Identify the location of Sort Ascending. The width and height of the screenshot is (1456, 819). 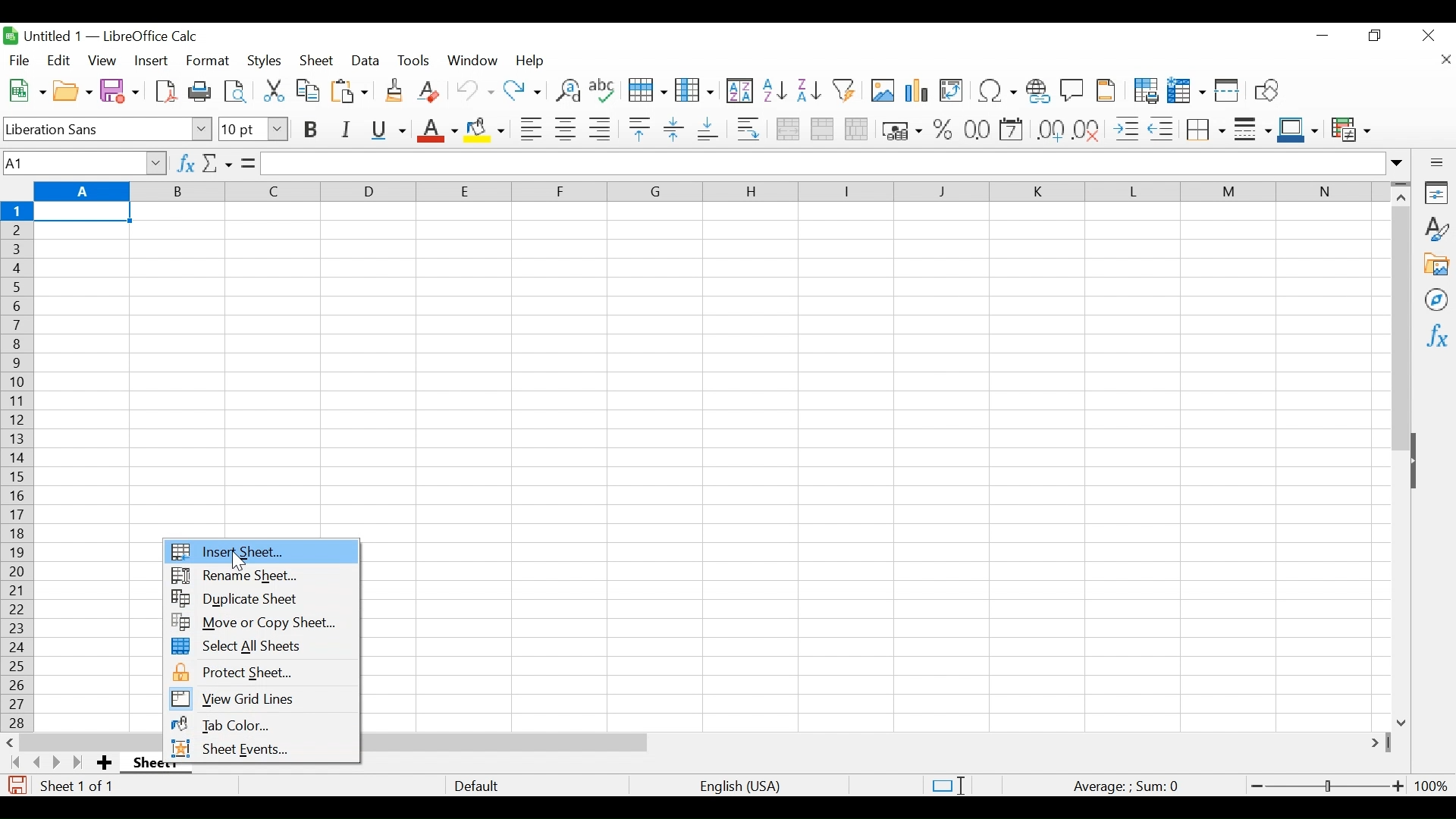
(774, 89).